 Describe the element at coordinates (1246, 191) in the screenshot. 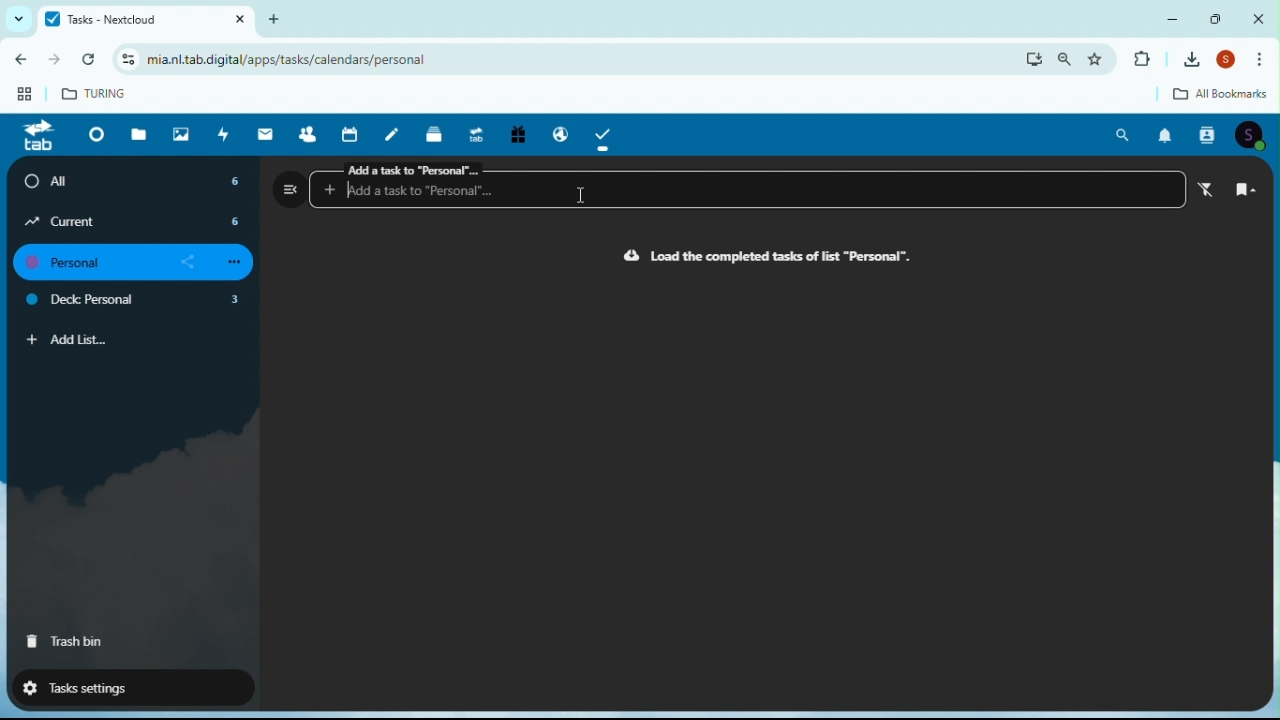

I see `Change sort order` at that location.